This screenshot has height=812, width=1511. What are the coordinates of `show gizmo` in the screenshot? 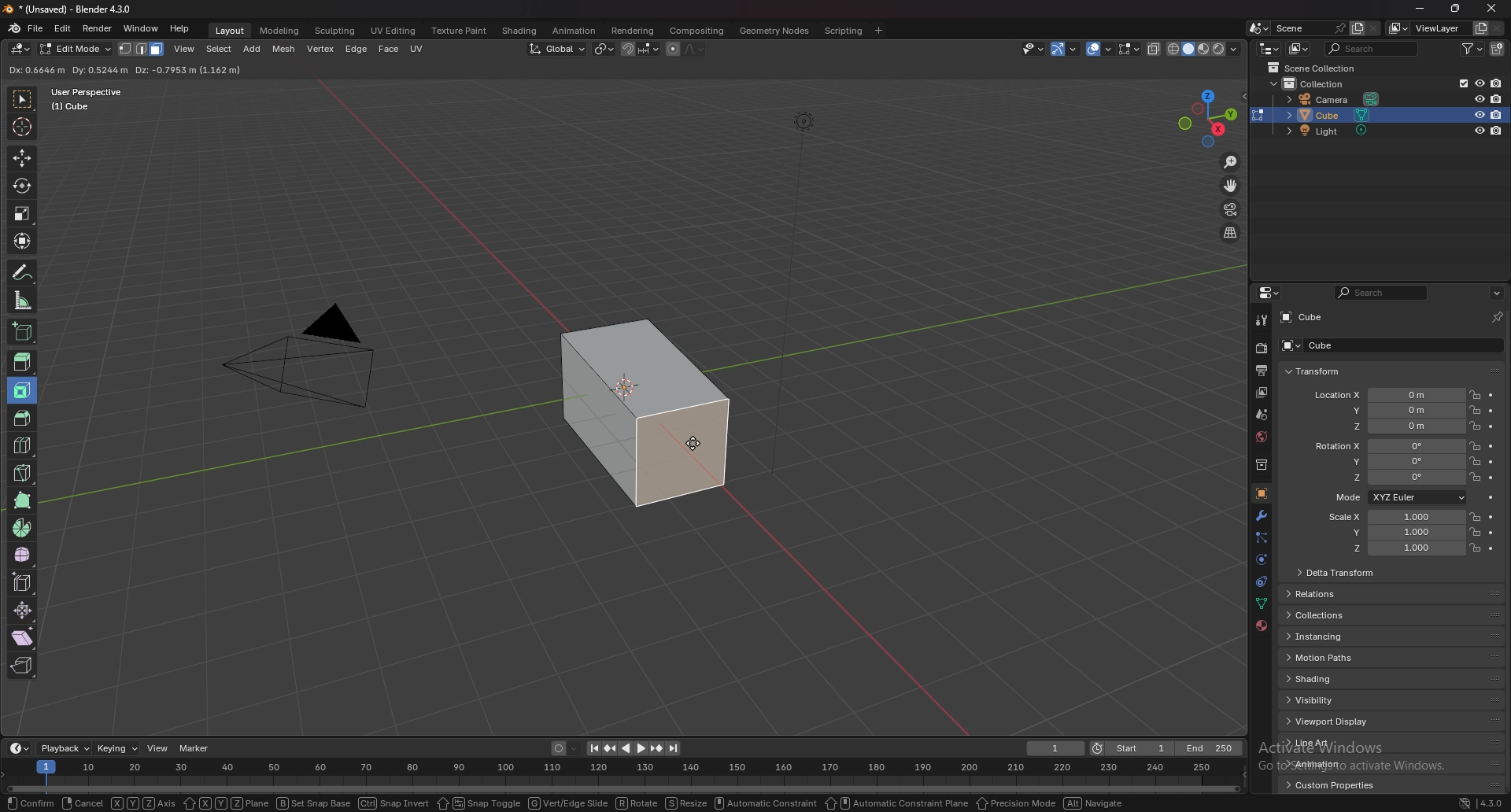 It's located at (1063, 49).